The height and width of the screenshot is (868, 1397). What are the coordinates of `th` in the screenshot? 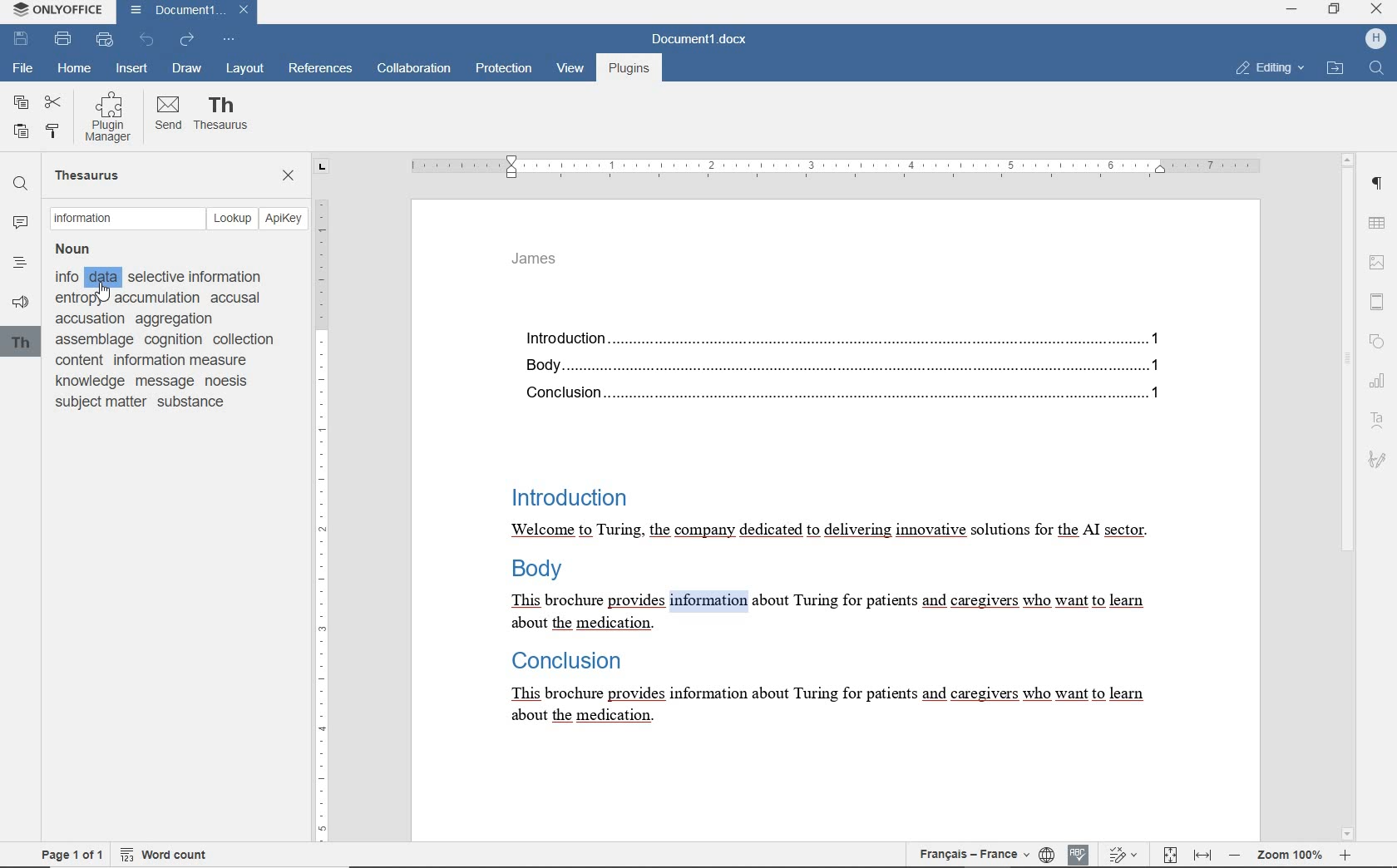 It's located at (22, 343).